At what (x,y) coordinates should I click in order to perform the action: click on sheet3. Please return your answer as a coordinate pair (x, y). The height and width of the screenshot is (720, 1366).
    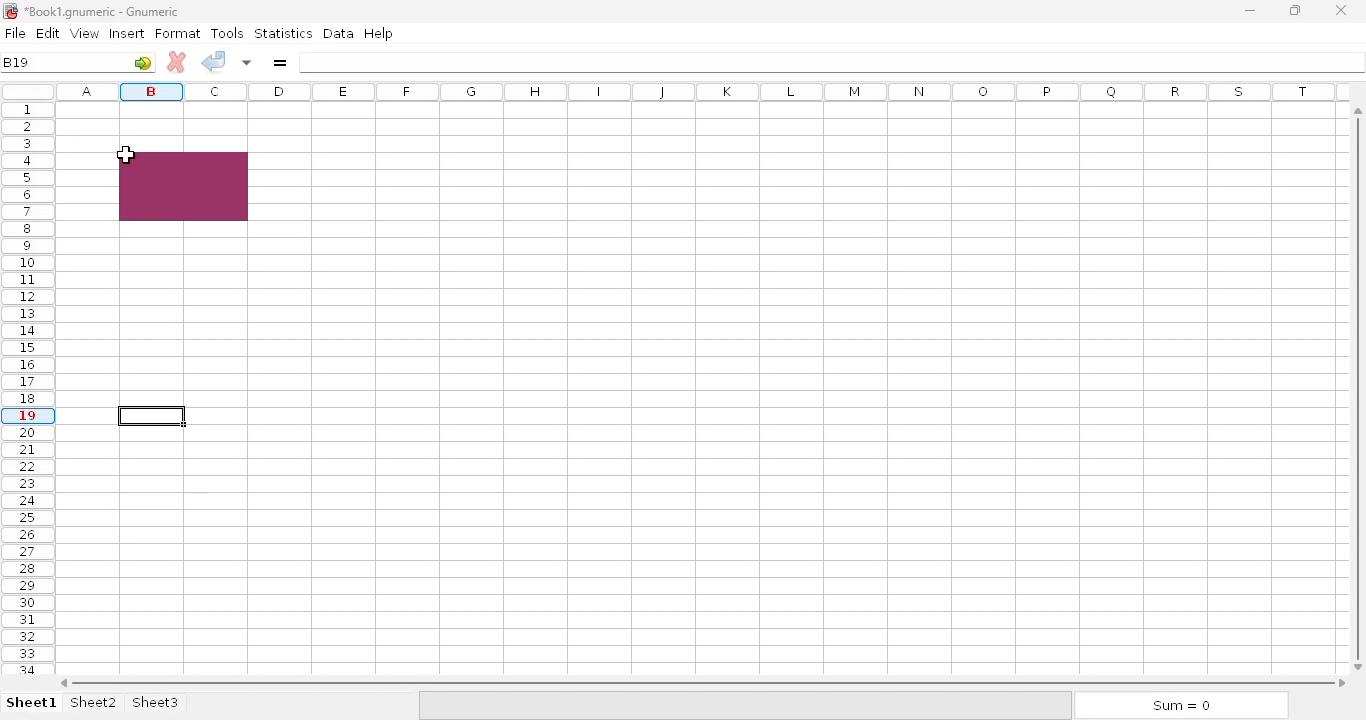
    Looking at the image, I should click on (156, 701).